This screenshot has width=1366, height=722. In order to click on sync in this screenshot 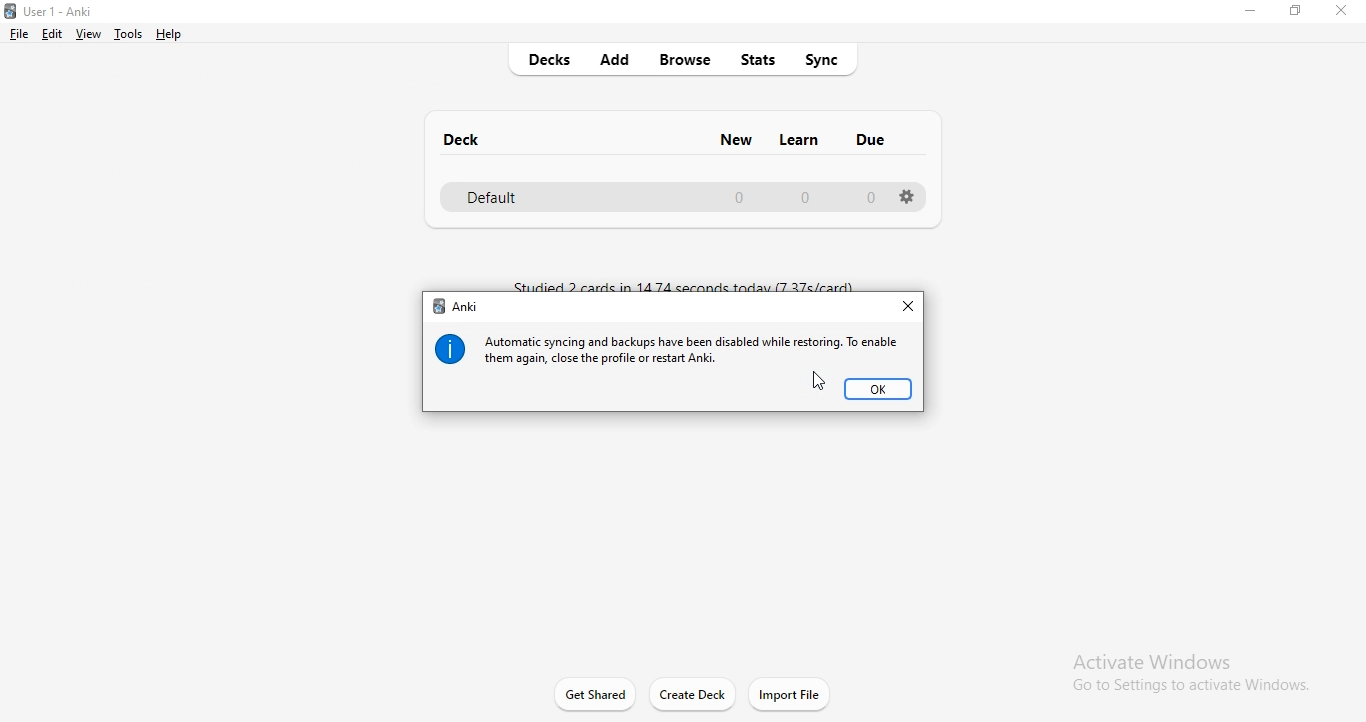, I will do `click(829, 59)`.